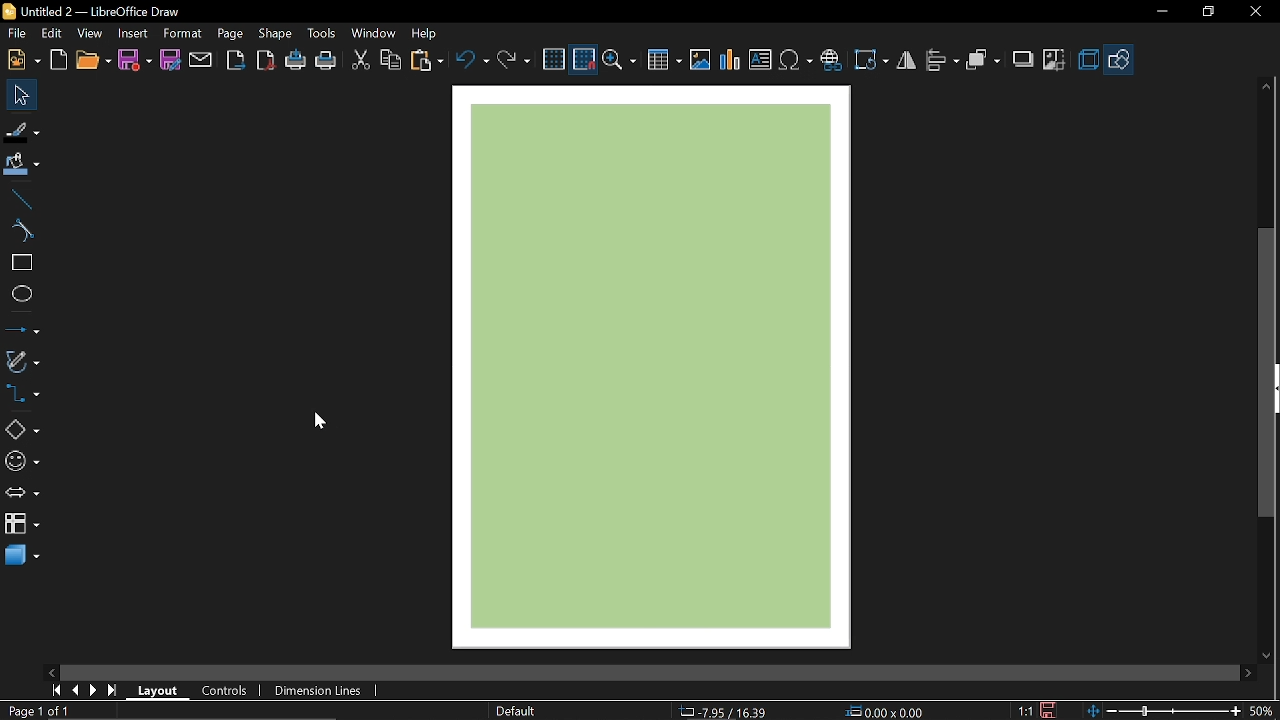 This screenshot has height=720, width=1280. Describe the element at coordinates (701, 61) in the screenshot. I see `Insert Image` at that location.